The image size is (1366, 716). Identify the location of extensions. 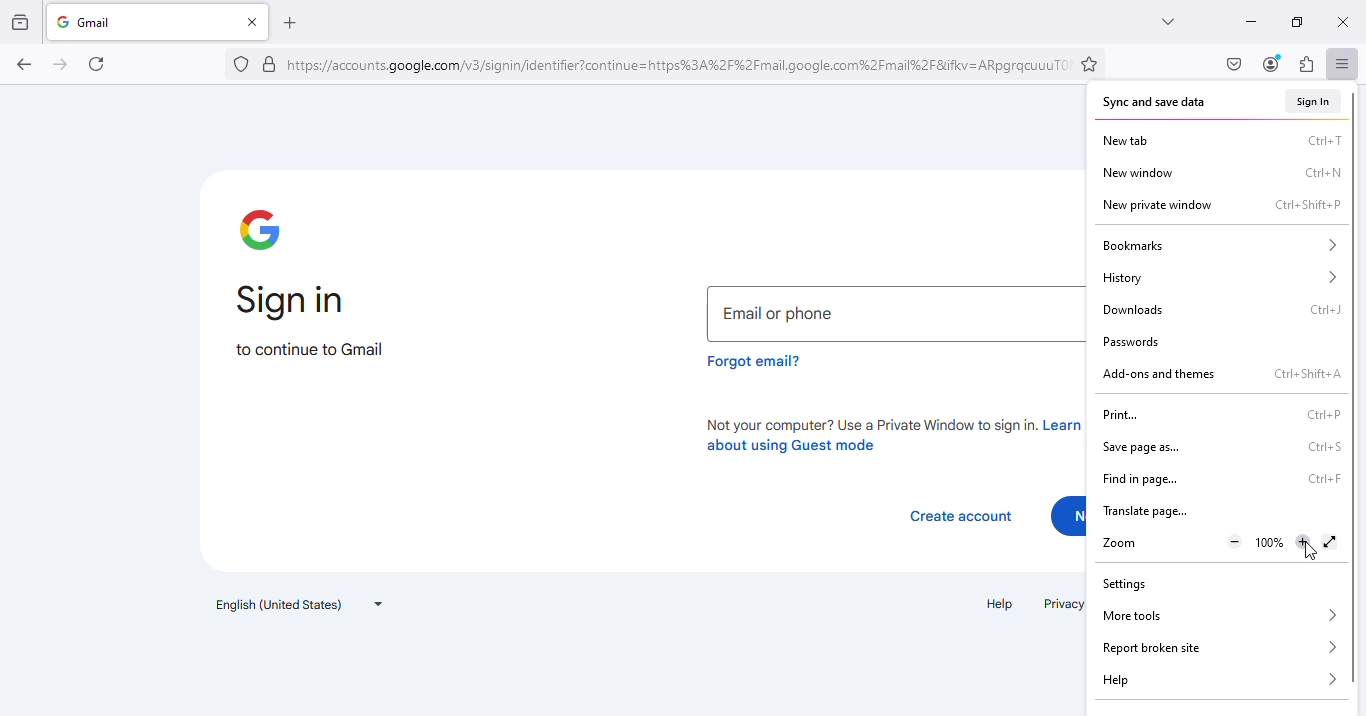
(1307, 64).